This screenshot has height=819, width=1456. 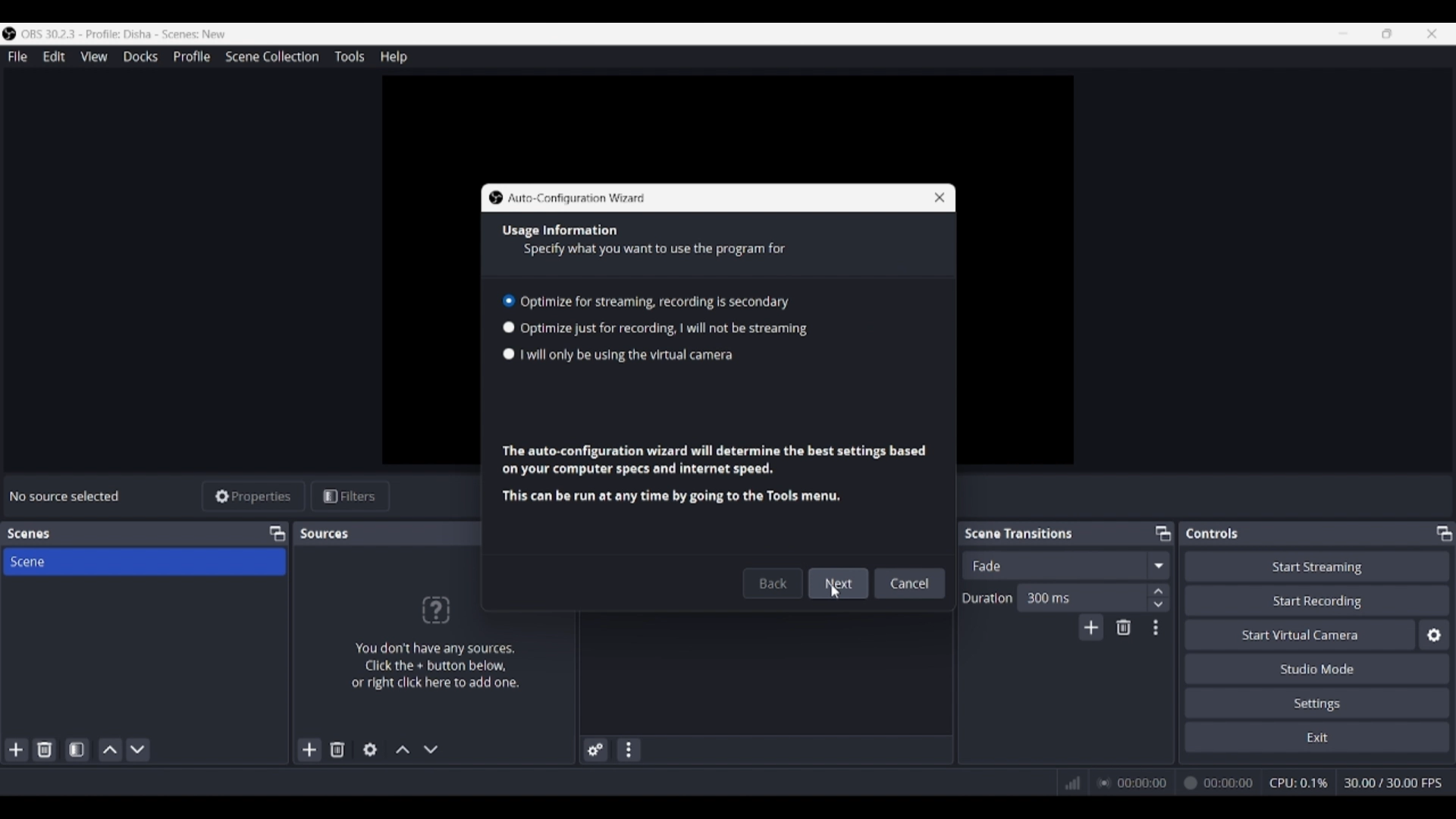 I want to click on Open source properties, so click(x=370, y=750).